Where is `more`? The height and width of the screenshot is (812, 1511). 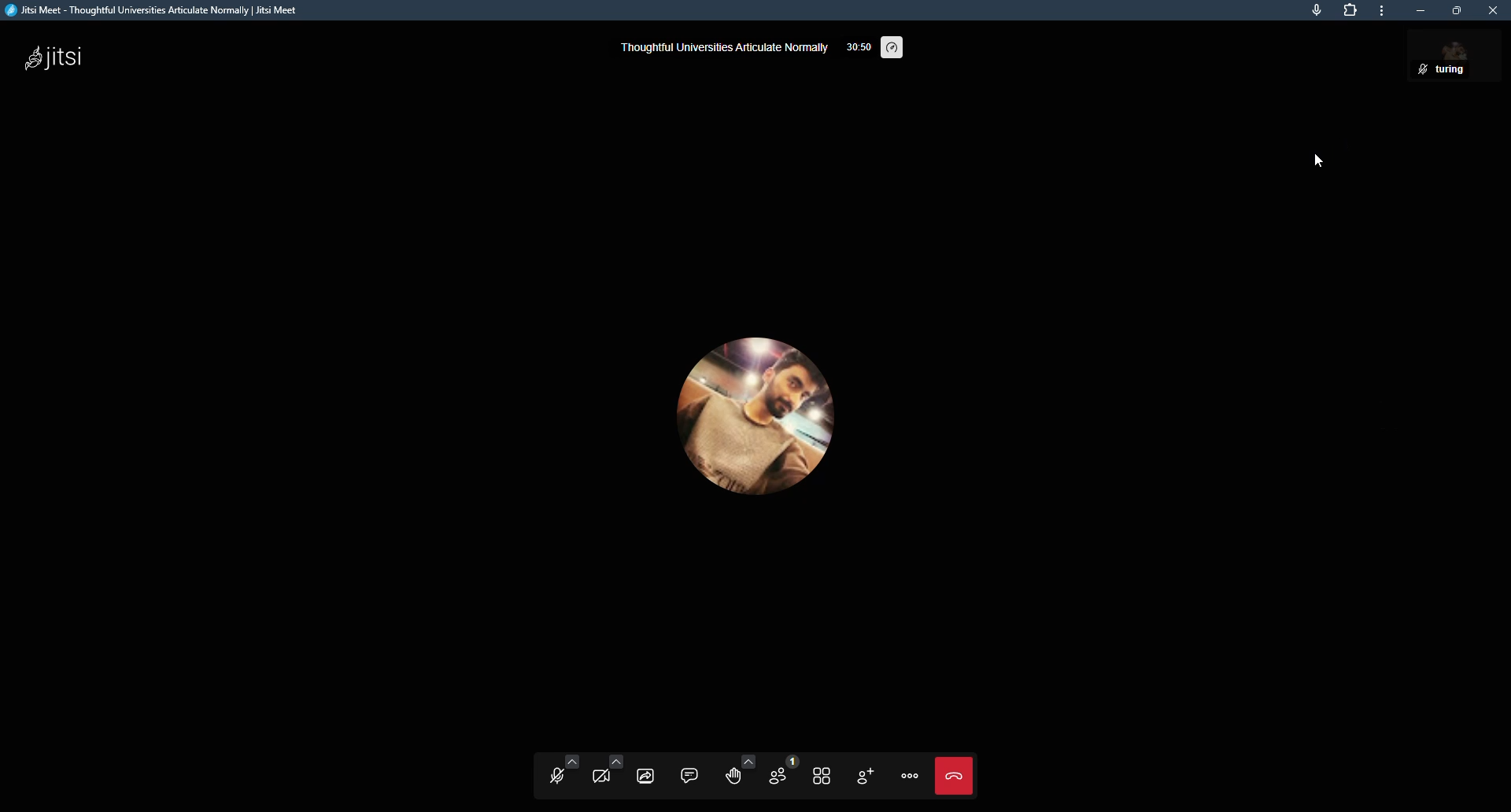 more is located at coordinates (1382, 12).